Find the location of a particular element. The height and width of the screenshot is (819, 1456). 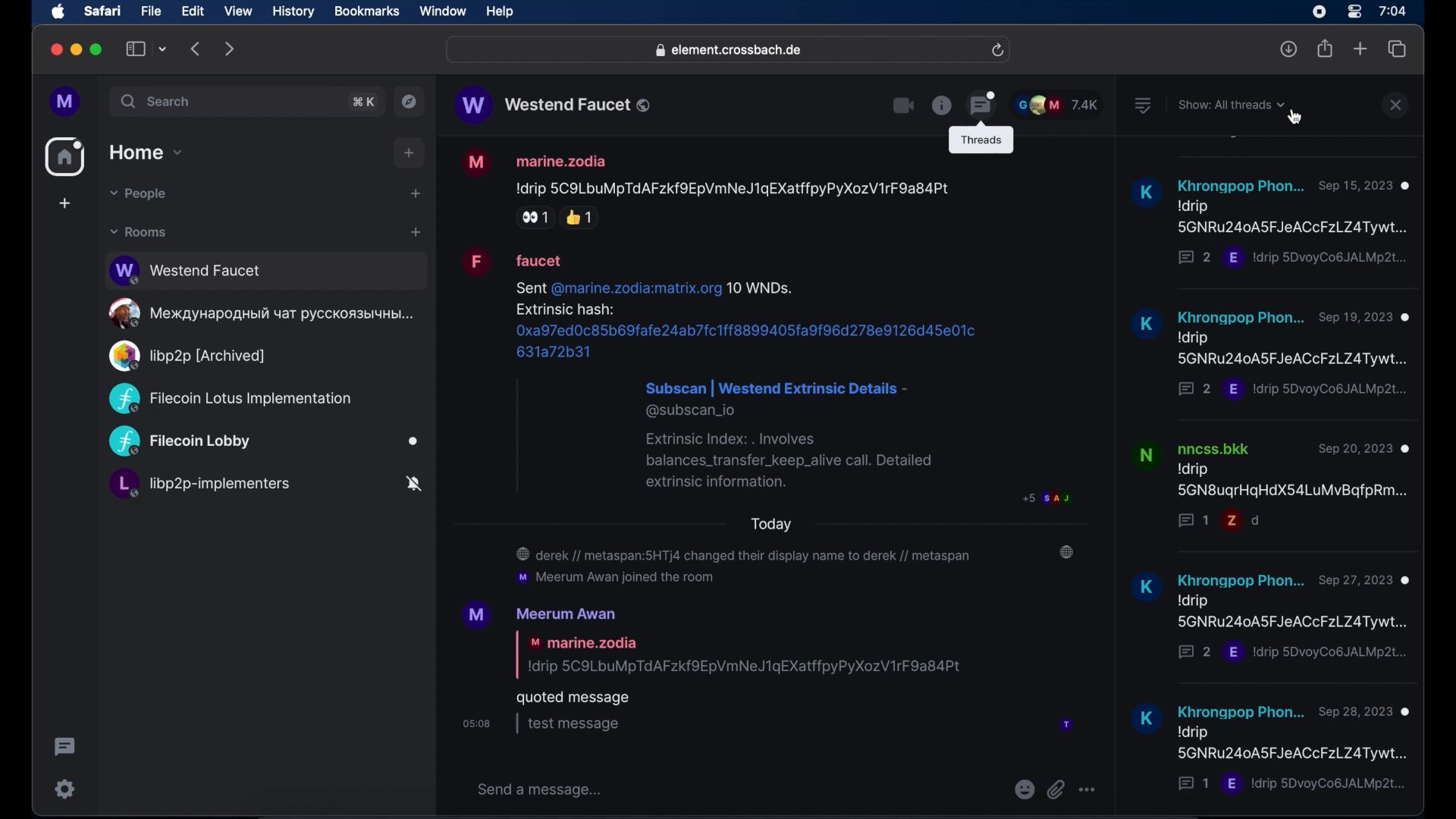

N is located at coordinates (1139, 450).